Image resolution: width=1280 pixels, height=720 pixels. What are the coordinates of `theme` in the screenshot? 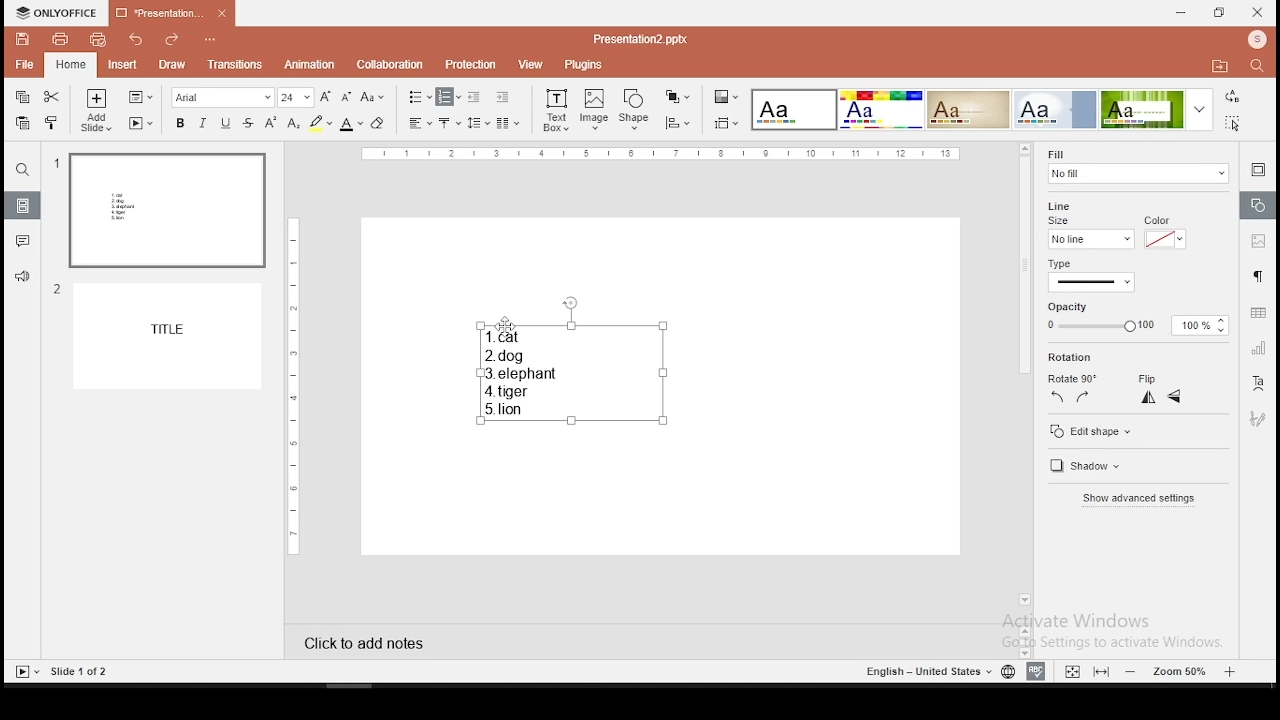 It's located at (967, 110).